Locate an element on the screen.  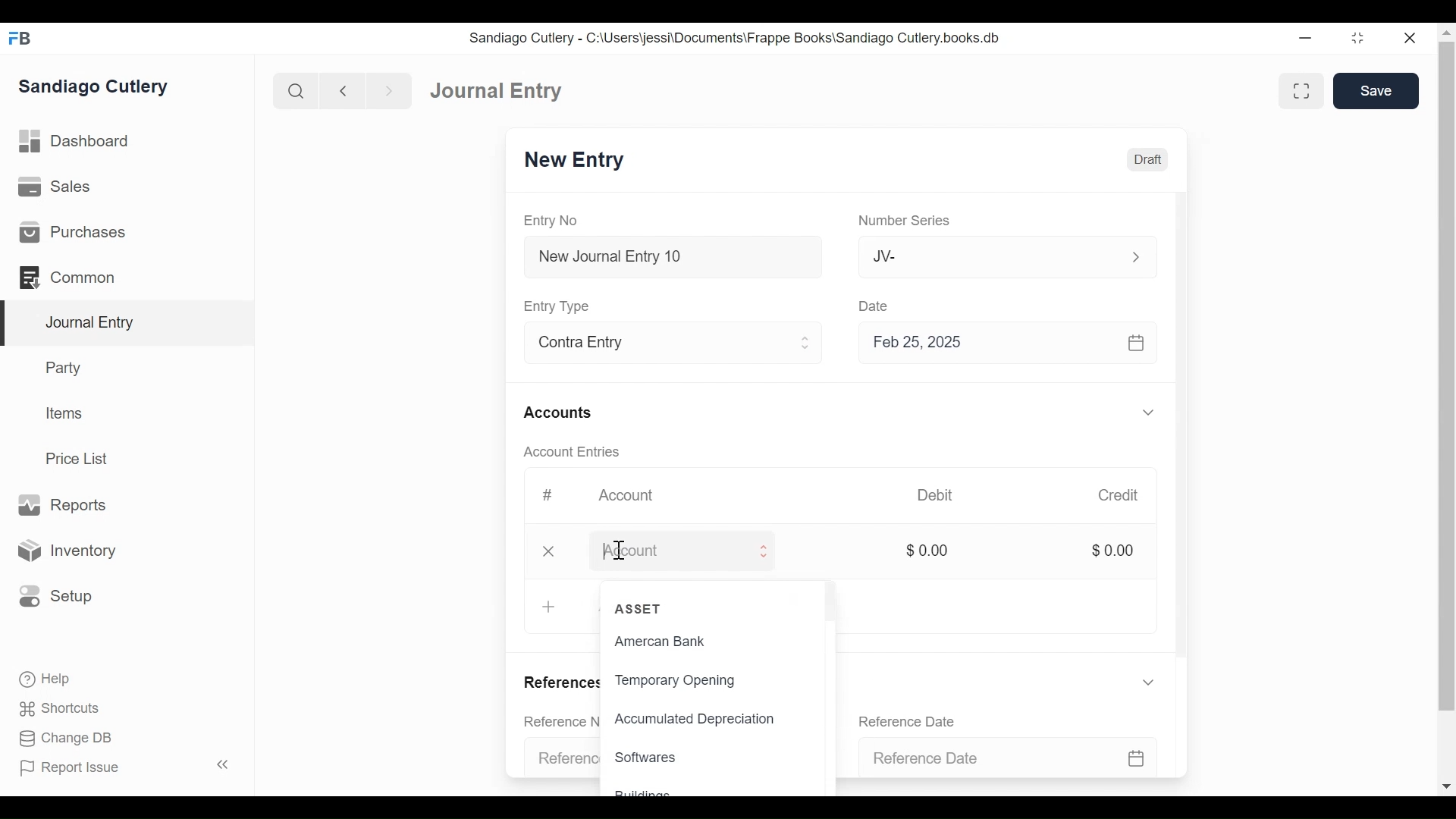
Entry No is located at coordinates (560, 219).